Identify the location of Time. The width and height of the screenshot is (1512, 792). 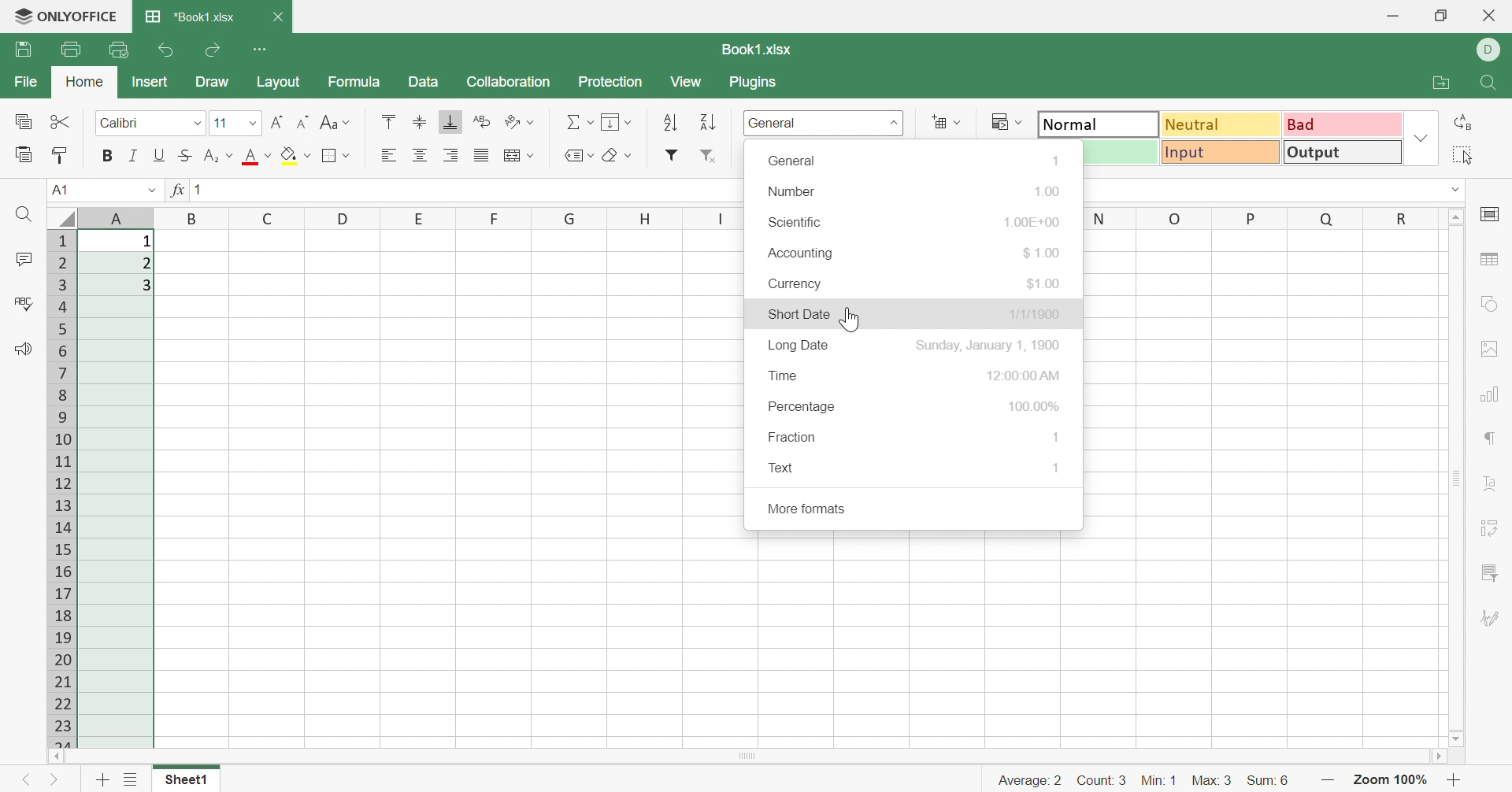
(783, 374).